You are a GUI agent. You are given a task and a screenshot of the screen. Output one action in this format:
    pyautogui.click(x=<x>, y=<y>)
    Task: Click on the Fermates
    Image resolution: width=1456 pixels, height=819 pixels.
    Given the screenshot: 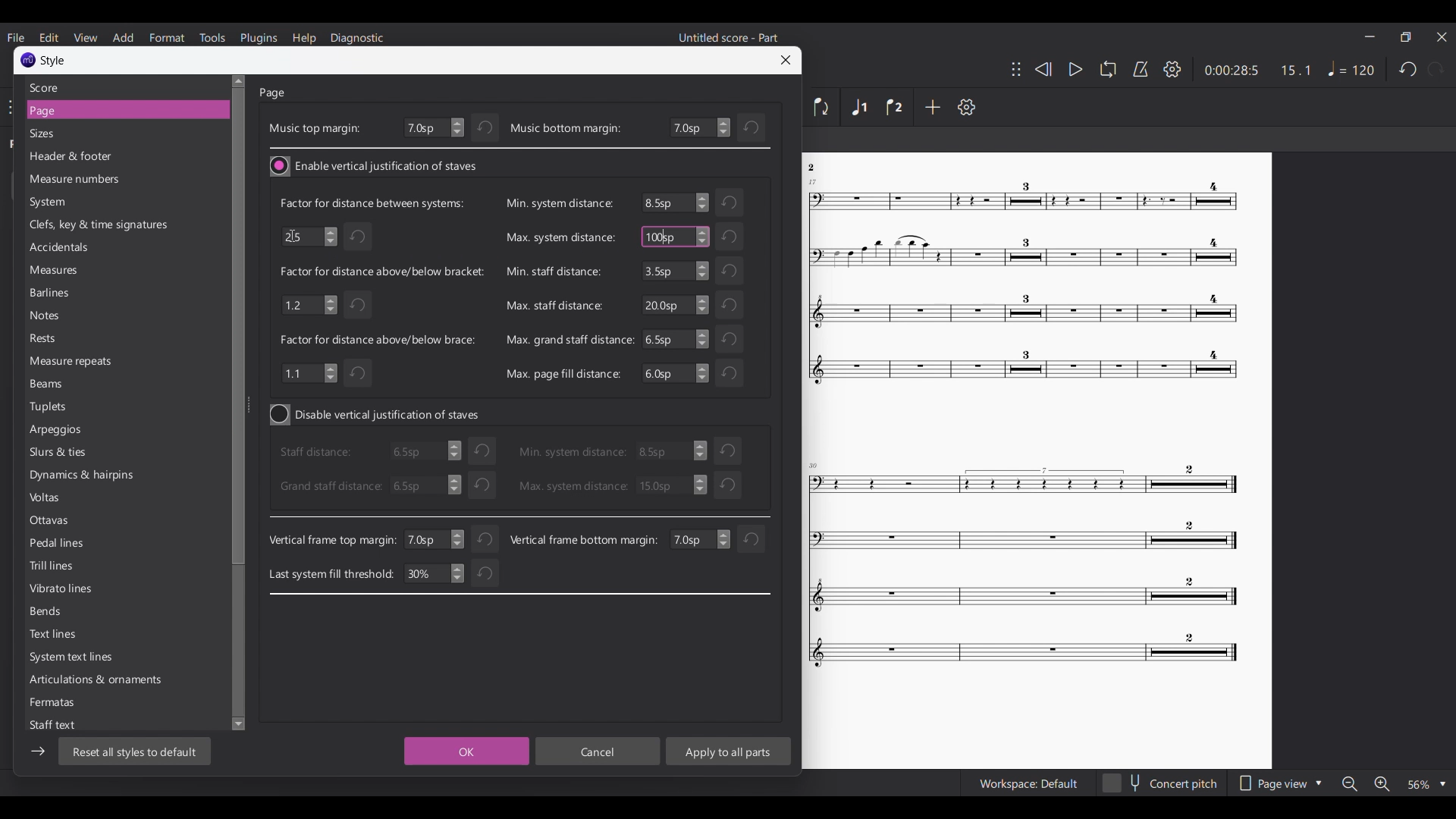 What is the action you would take?
    pyautogui.click(x=80, y=706)
    